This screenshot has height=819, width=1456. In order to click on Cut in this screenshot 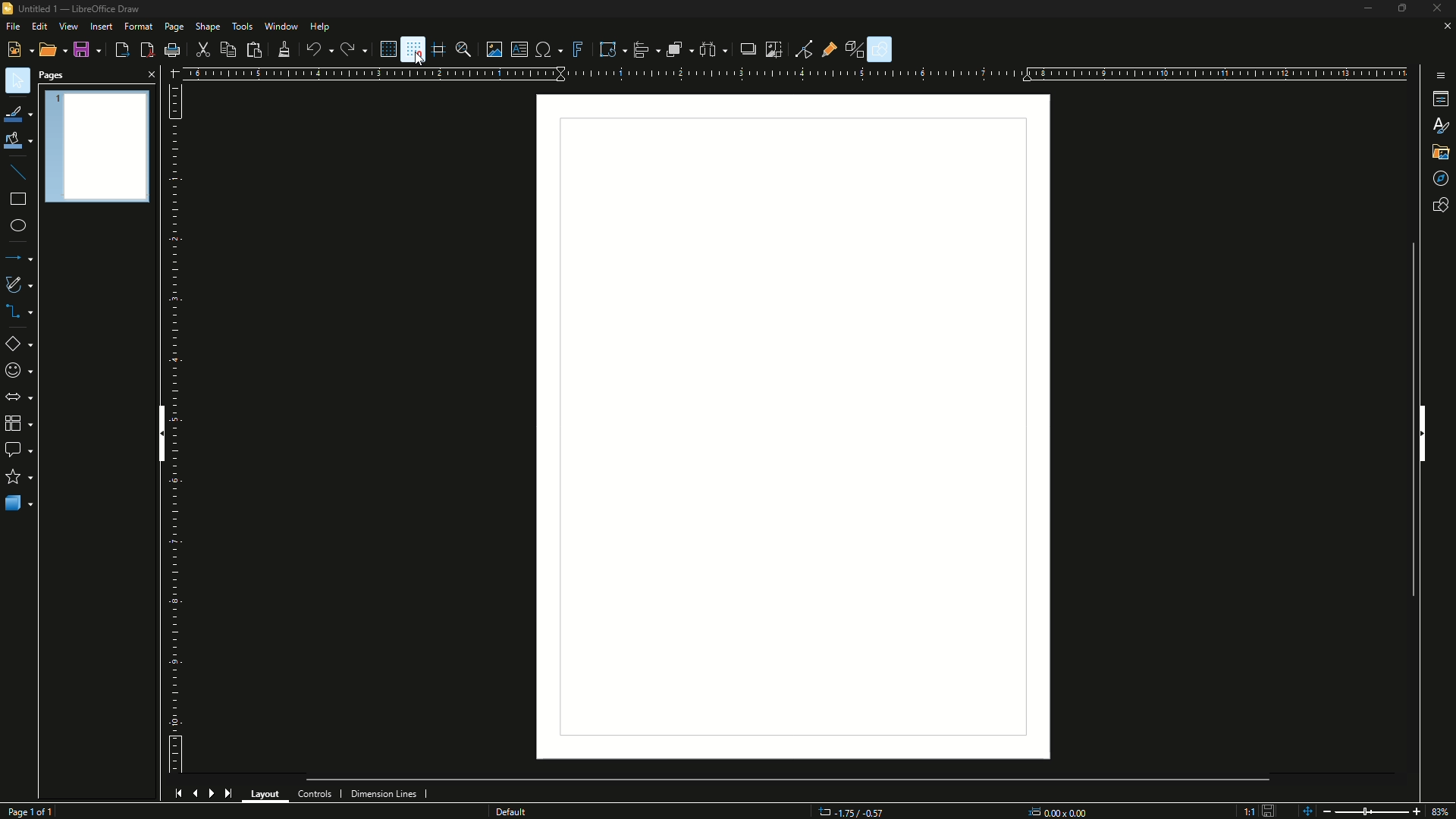, I will do `click(207, 49)`.